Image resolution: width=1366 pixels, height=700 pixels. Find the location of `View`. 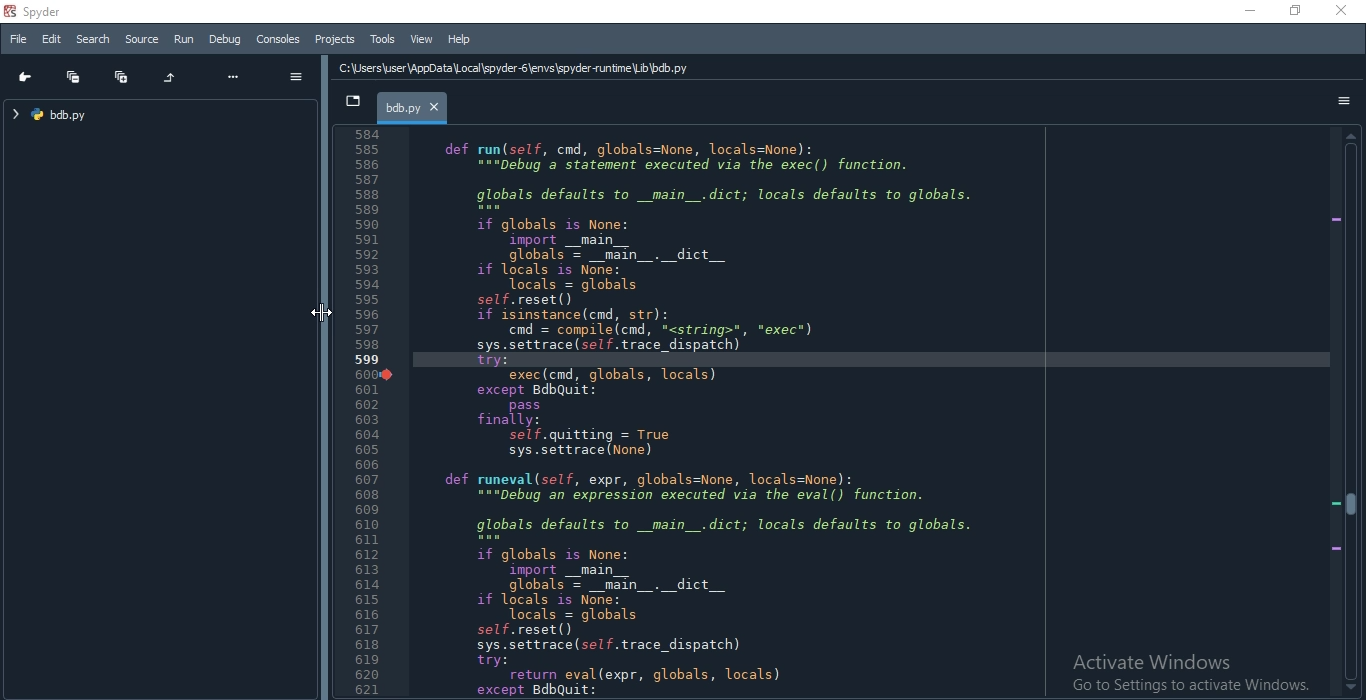

View is located at coordinates (420, 40).